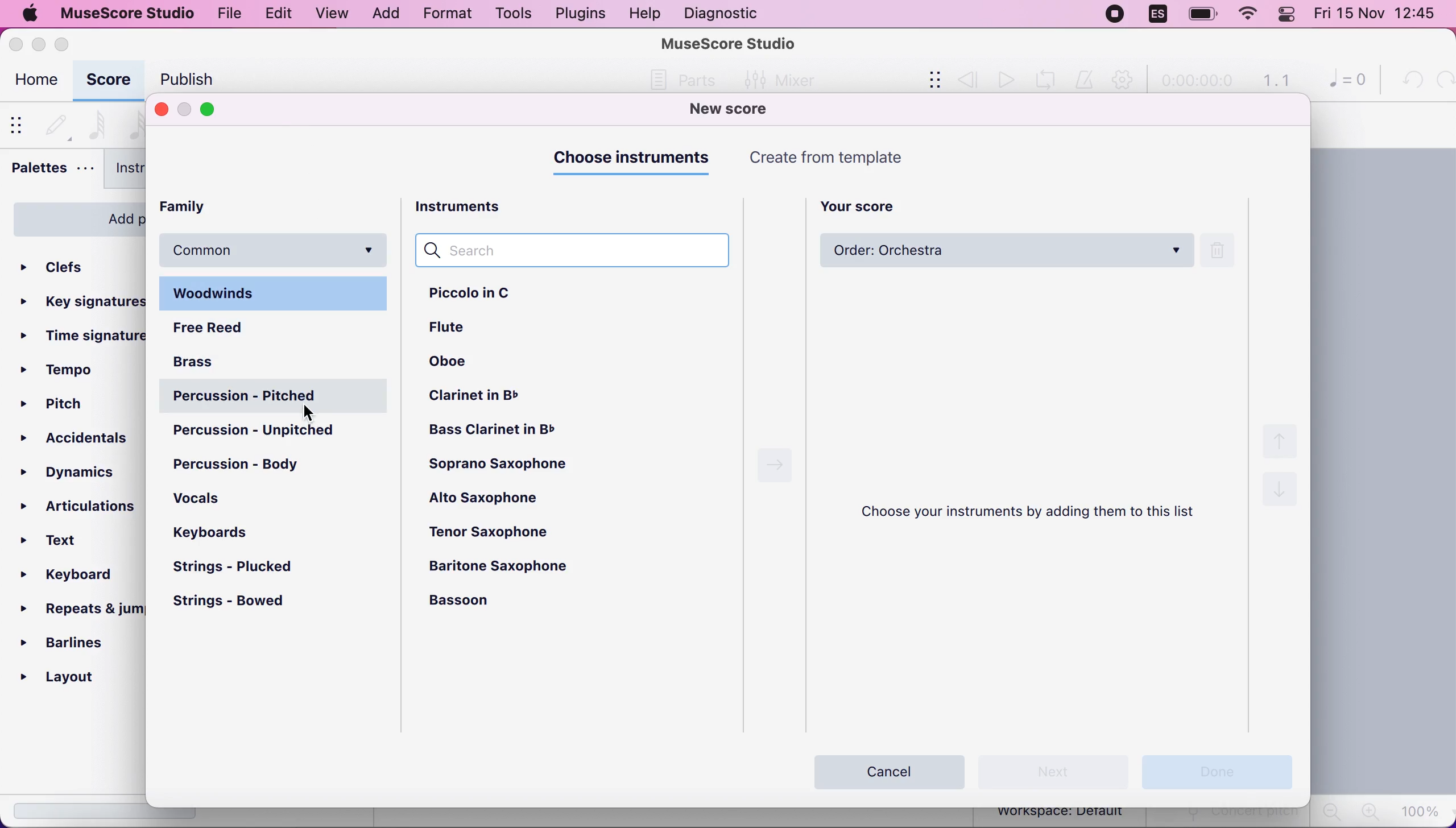 This screenshot has height=828, width=1456. What do you see at coordinates (17, 44) in the screenshot?
I see `close` at bounding box center [17, 44].